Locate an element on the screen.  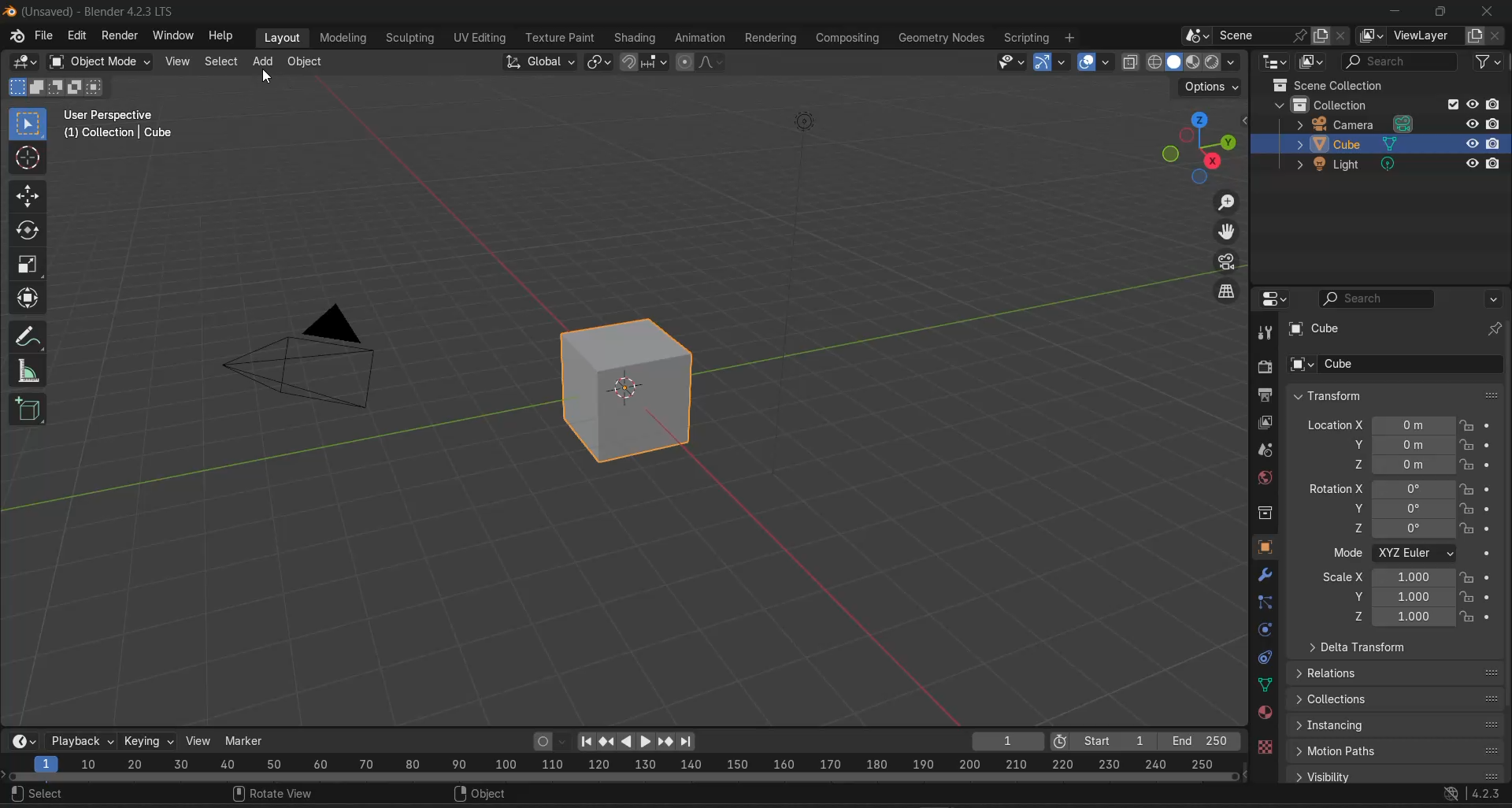
animate property is located at coordinates (1489, 464).